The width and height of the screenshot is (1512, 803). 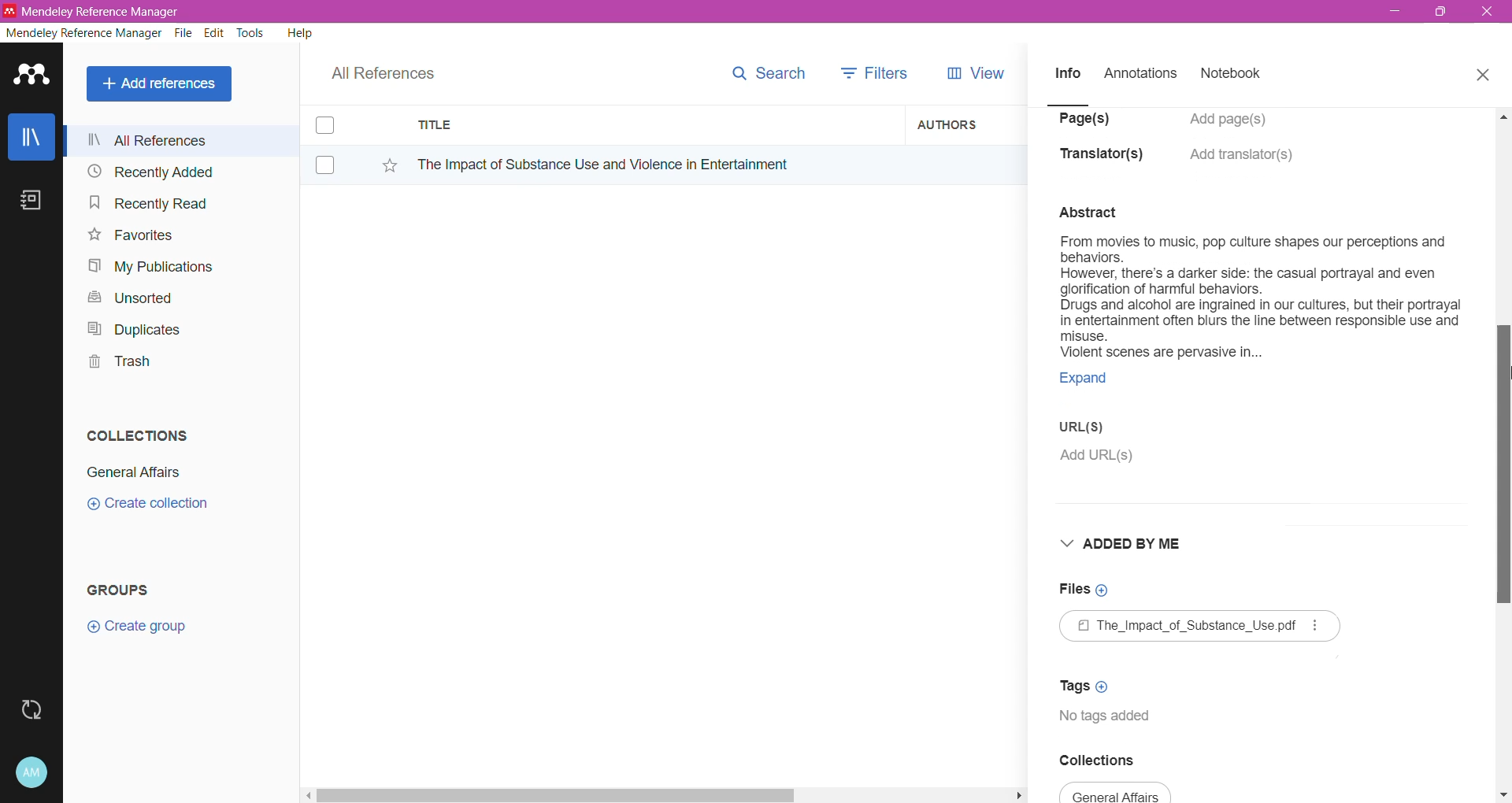 What do you see at coordinates (969, 73) in the screenshot?
I see `View` at bounding box center [969, 73].